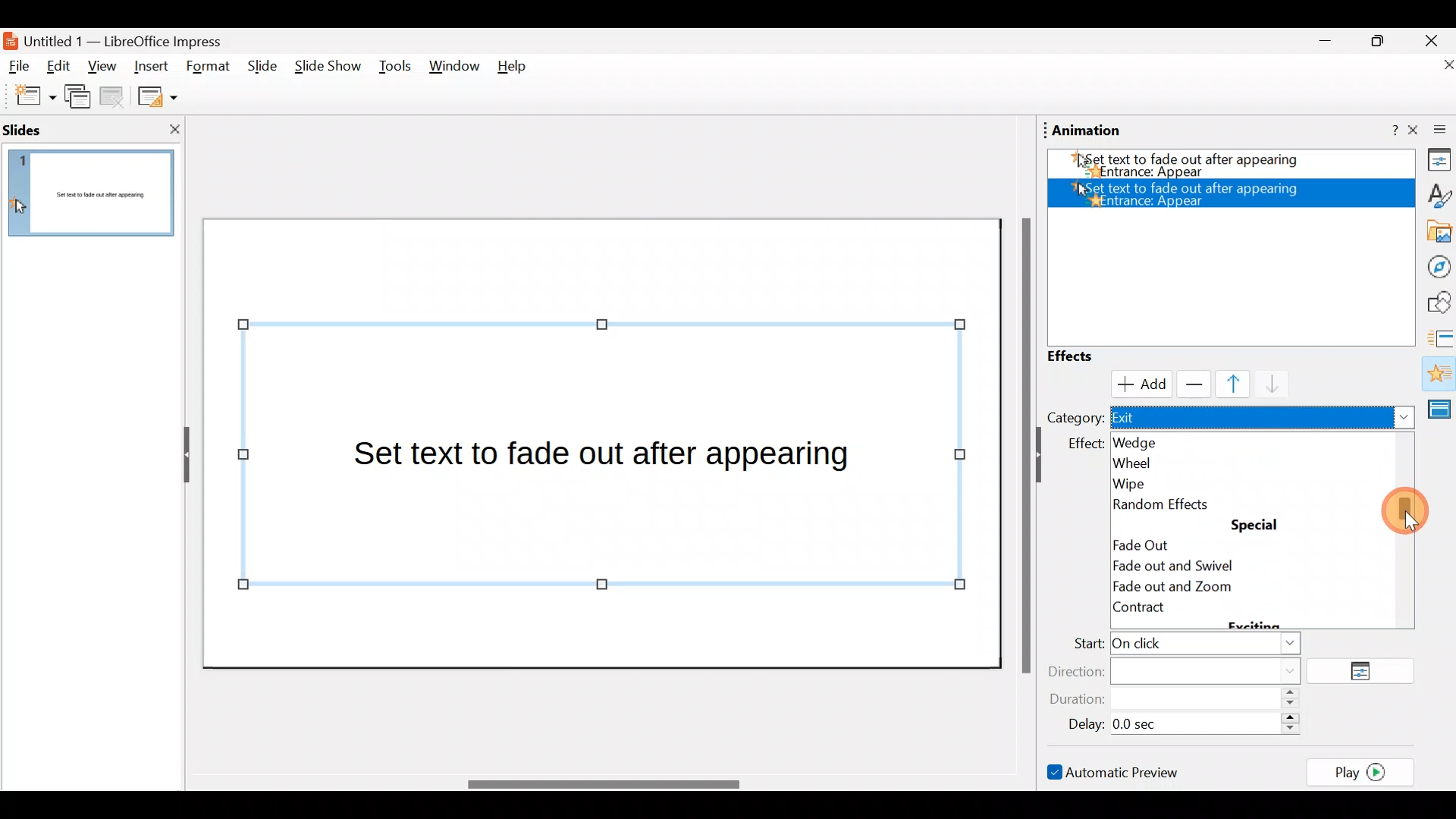 The image size is (1456, 819). I want to click on Effects, so click(1084, 356).